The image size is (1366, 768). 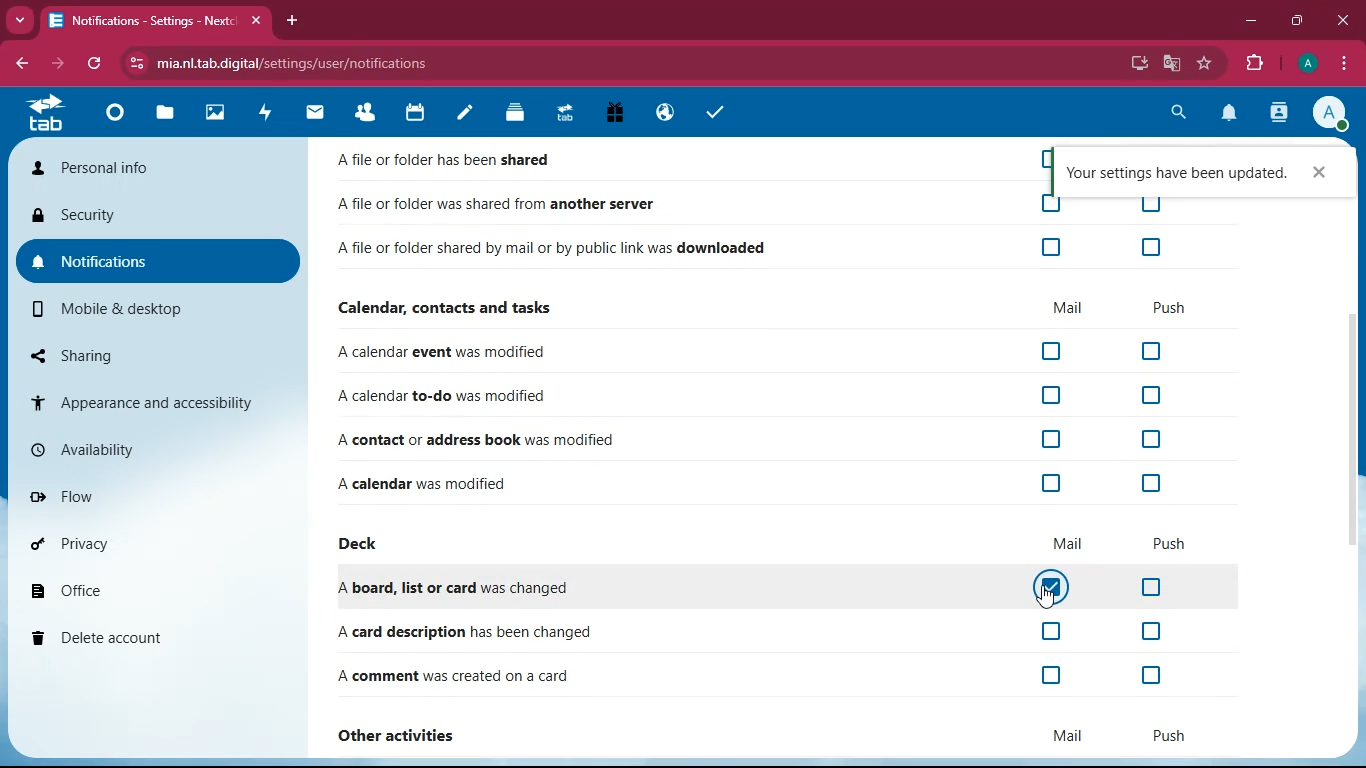 I want to click on flow, so click(x=152, y=494).